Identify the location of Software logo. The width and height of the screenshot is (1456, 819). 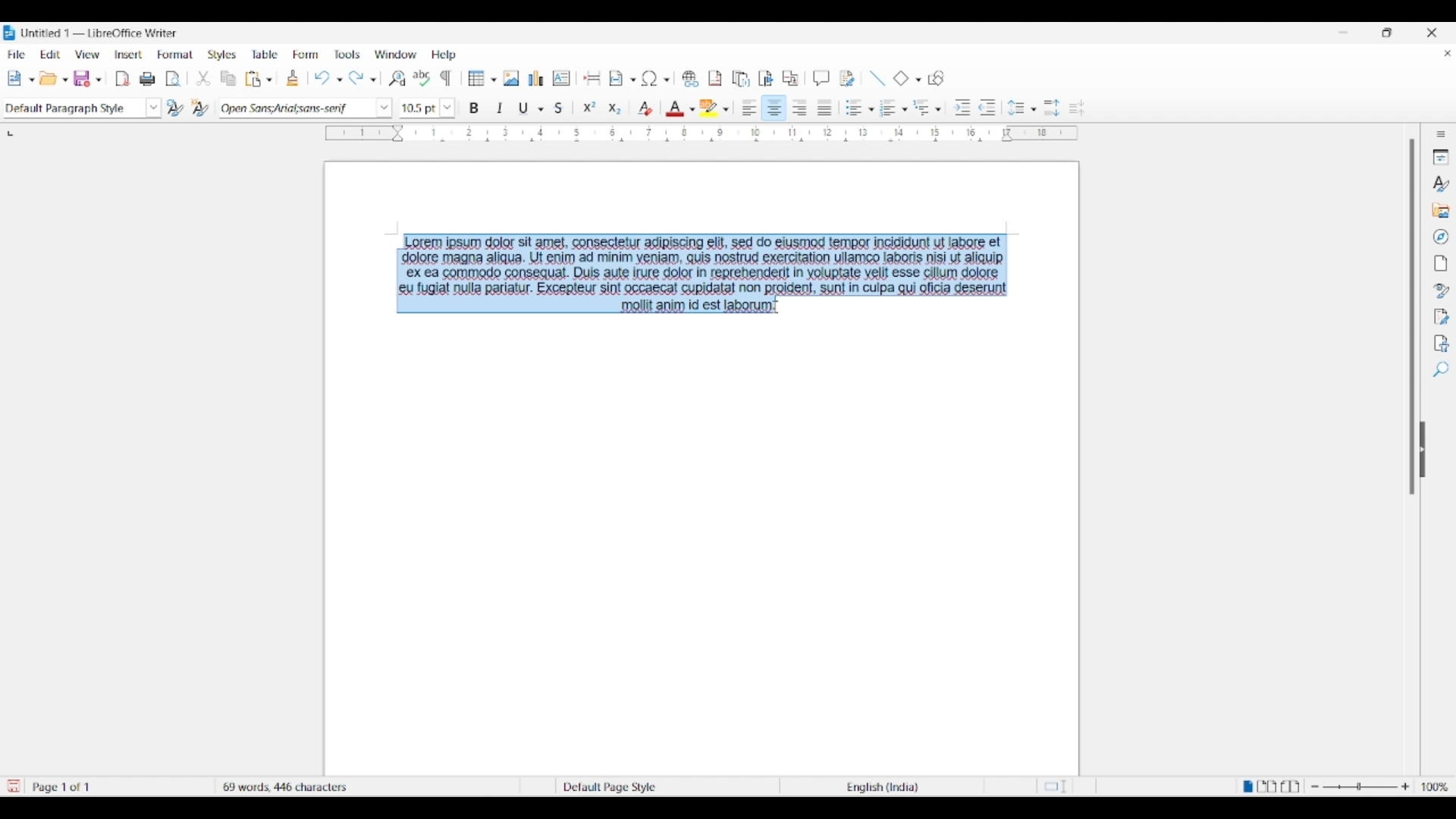
(10, 33).